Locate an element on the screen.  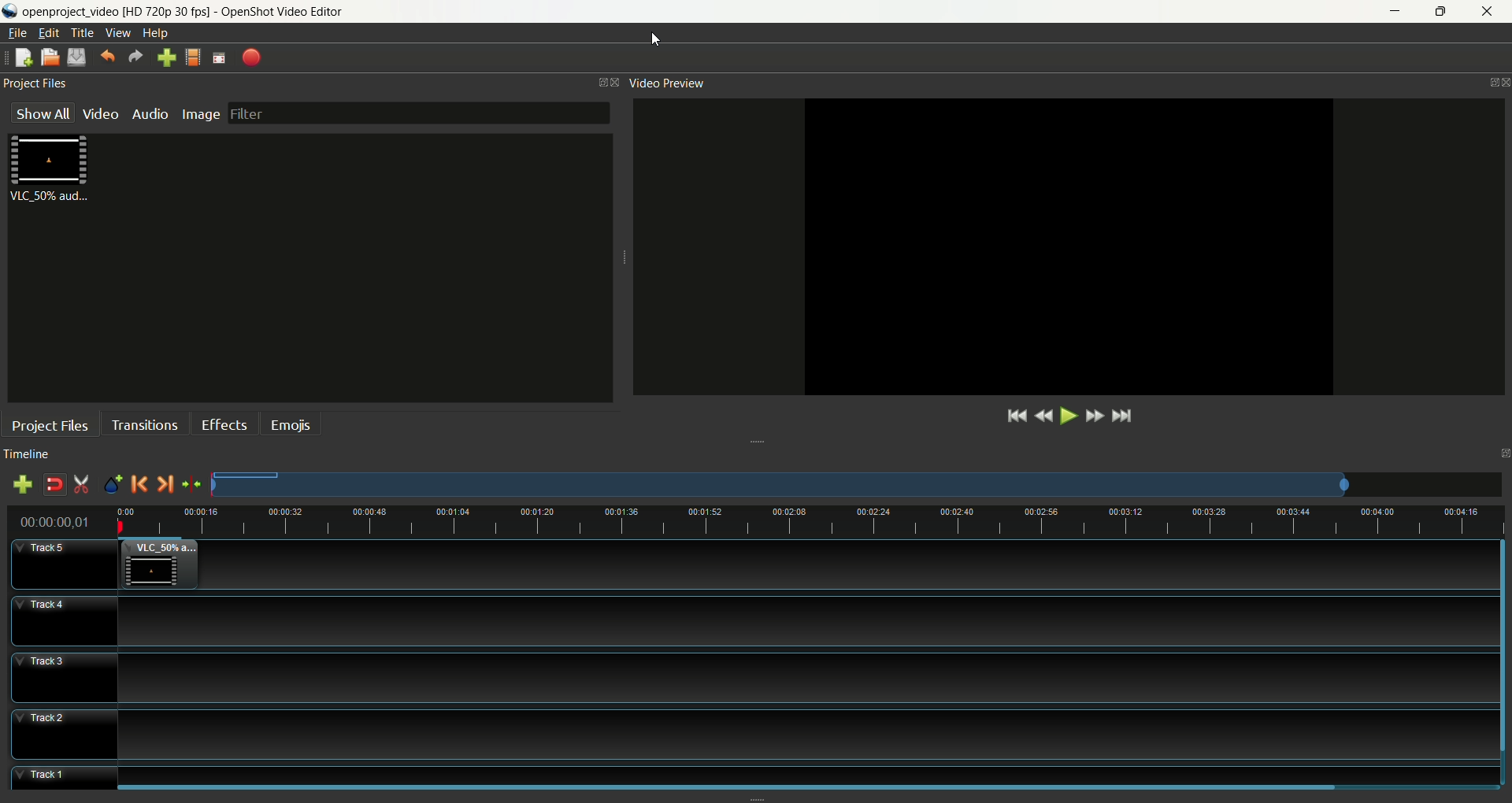
transitions is located at coordinates (143, 424).